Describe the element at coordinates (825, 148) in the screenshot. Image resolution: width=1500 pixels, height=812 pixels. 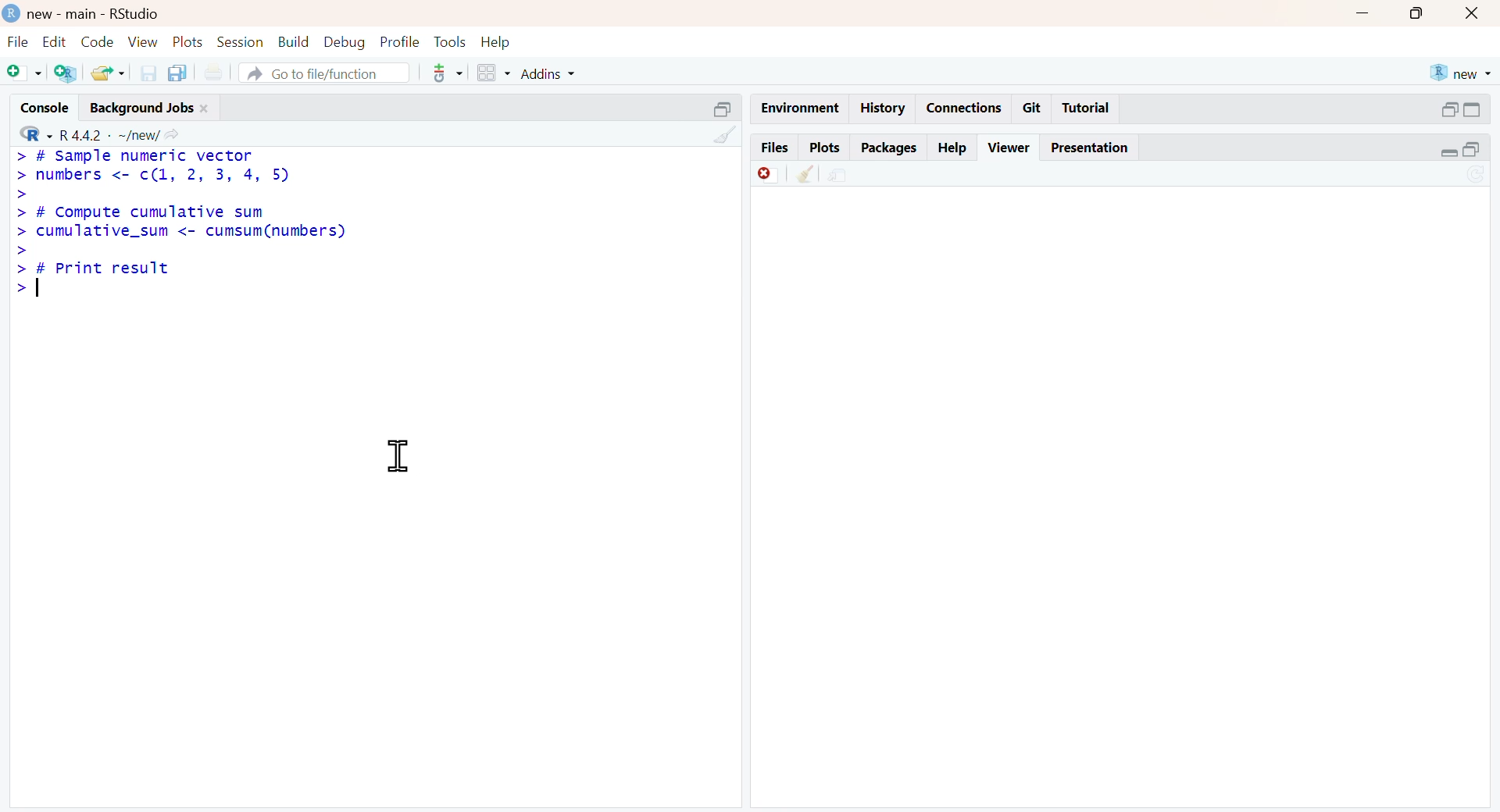
I see `Plots` at that location.